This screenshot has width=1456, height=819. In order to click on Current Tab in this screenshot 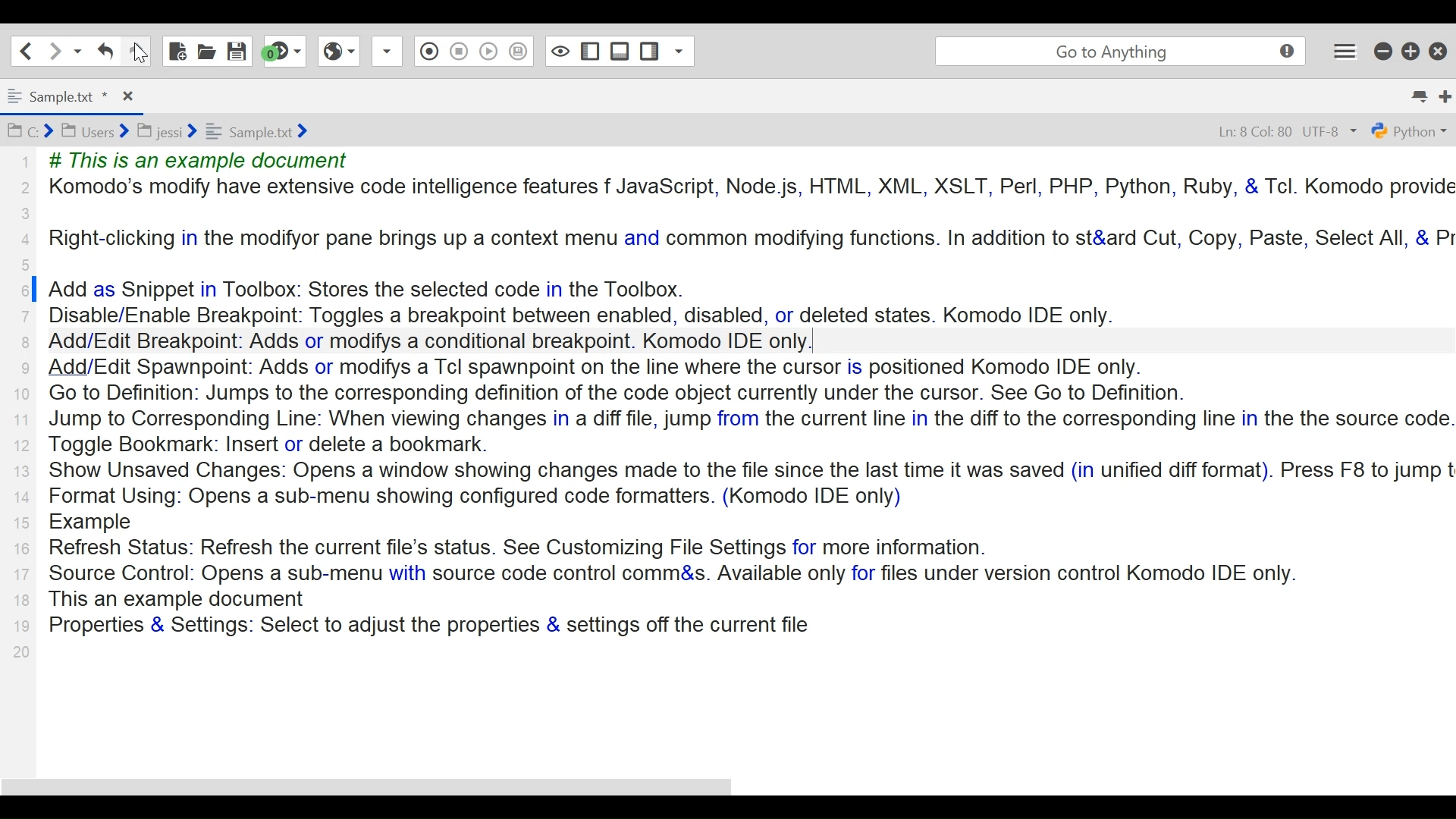, I will do `click(57, 99)`.